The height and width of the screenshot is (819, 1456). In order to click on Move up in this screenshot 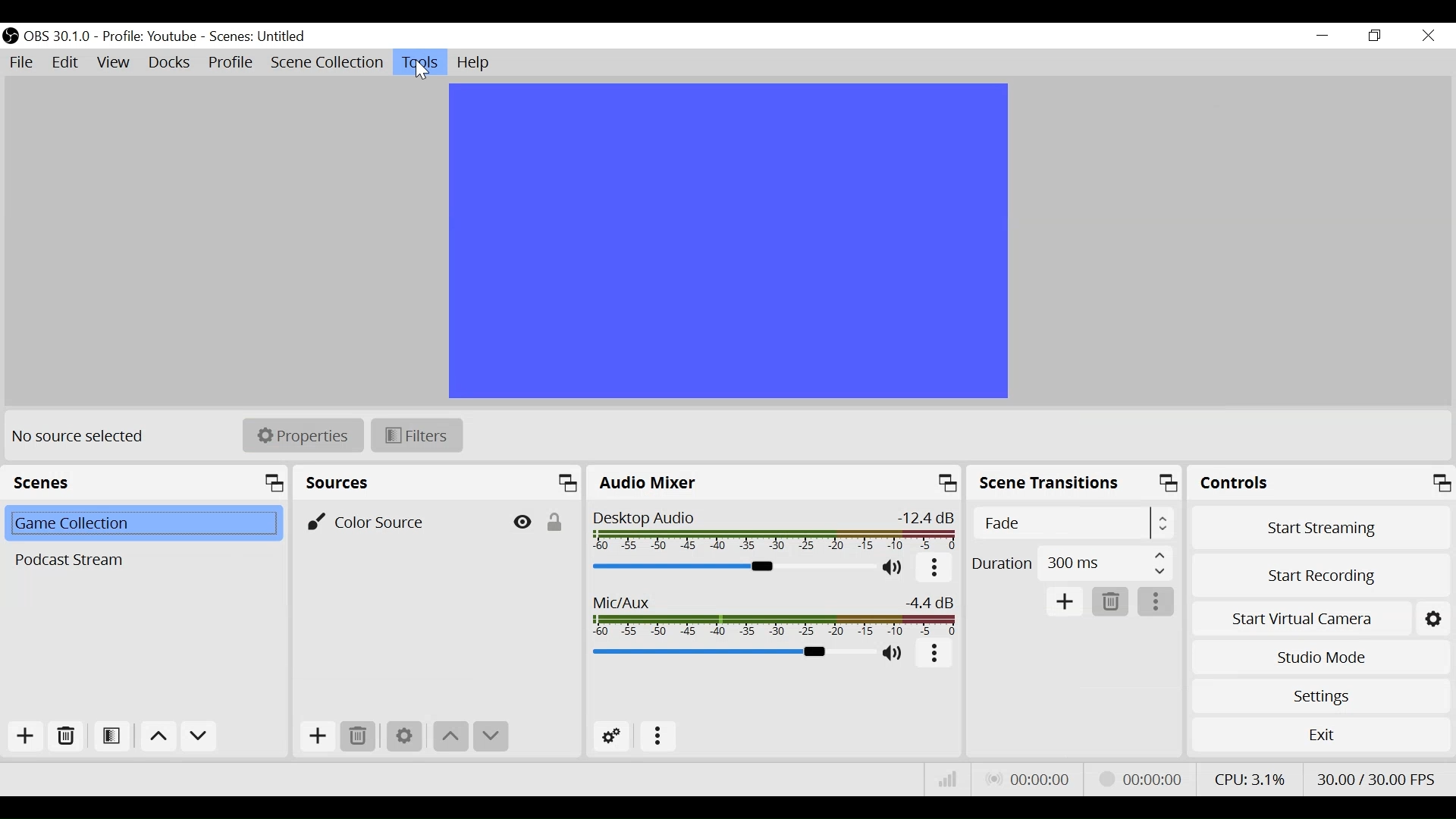, I will do `click(156, 736)`.